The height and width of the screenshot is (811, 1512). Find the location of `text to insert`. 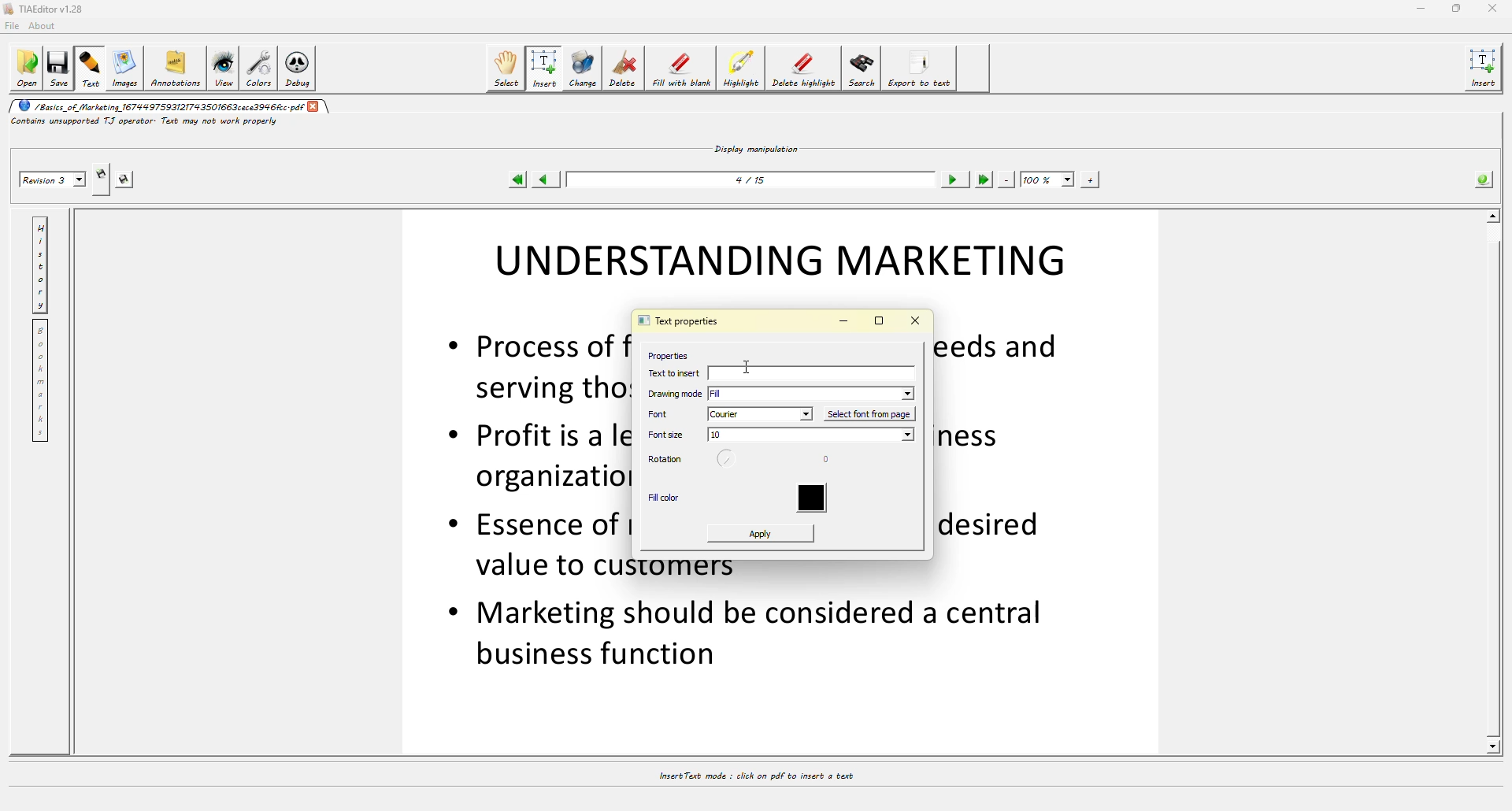

text to insert is located at coordinates (676, 372).